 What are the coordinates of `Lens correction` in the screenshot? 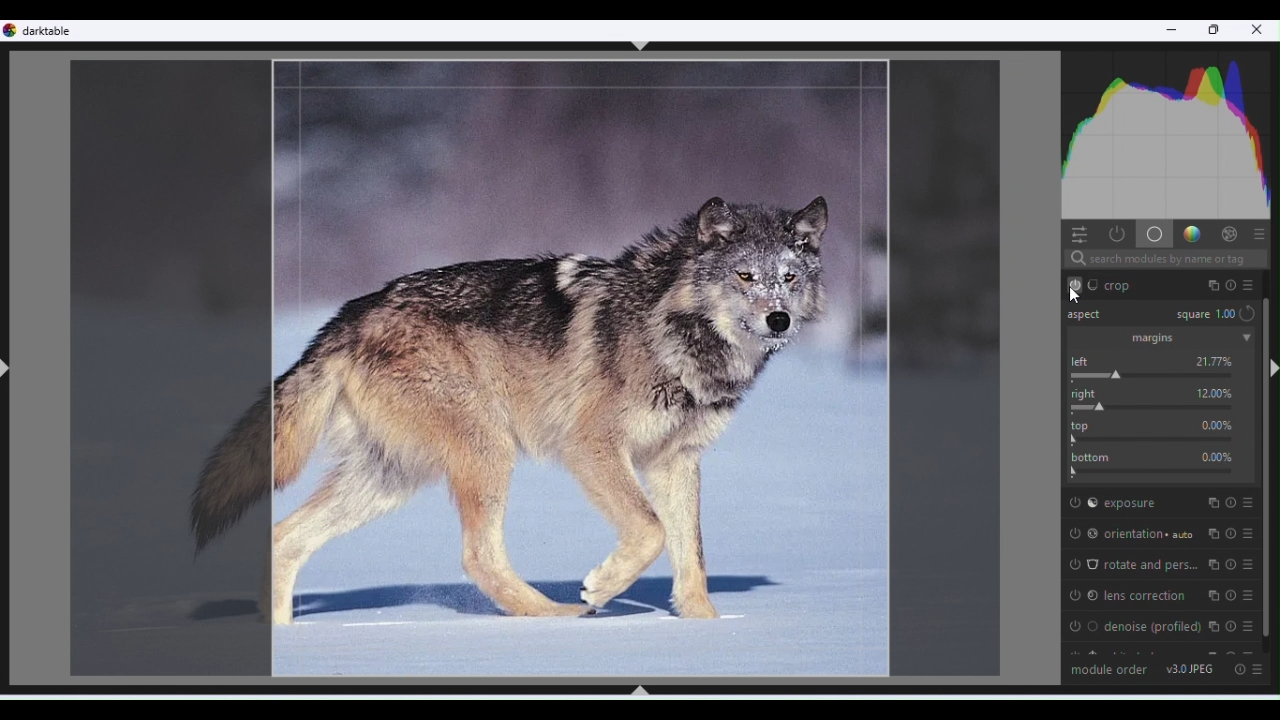 It's located at (1163, 595).